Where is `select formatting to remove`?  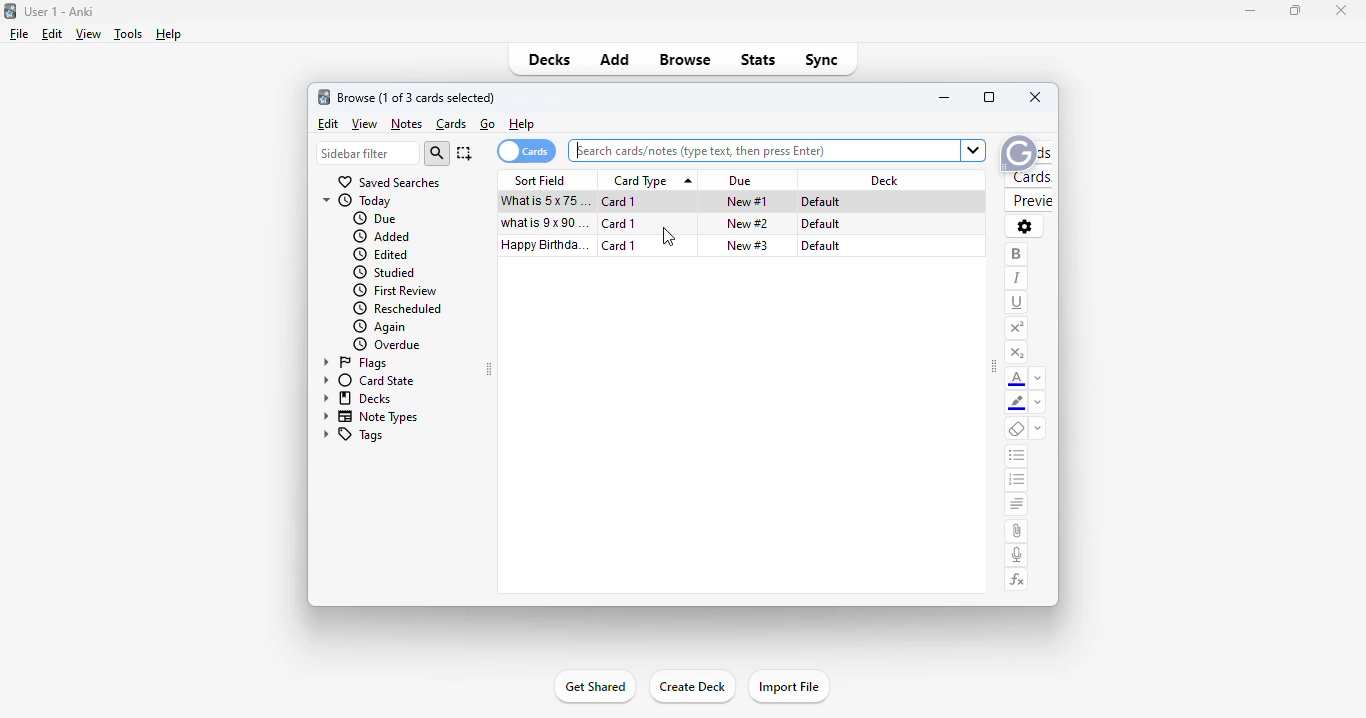 select formatting to remove is located at coordinates (1038, 429).